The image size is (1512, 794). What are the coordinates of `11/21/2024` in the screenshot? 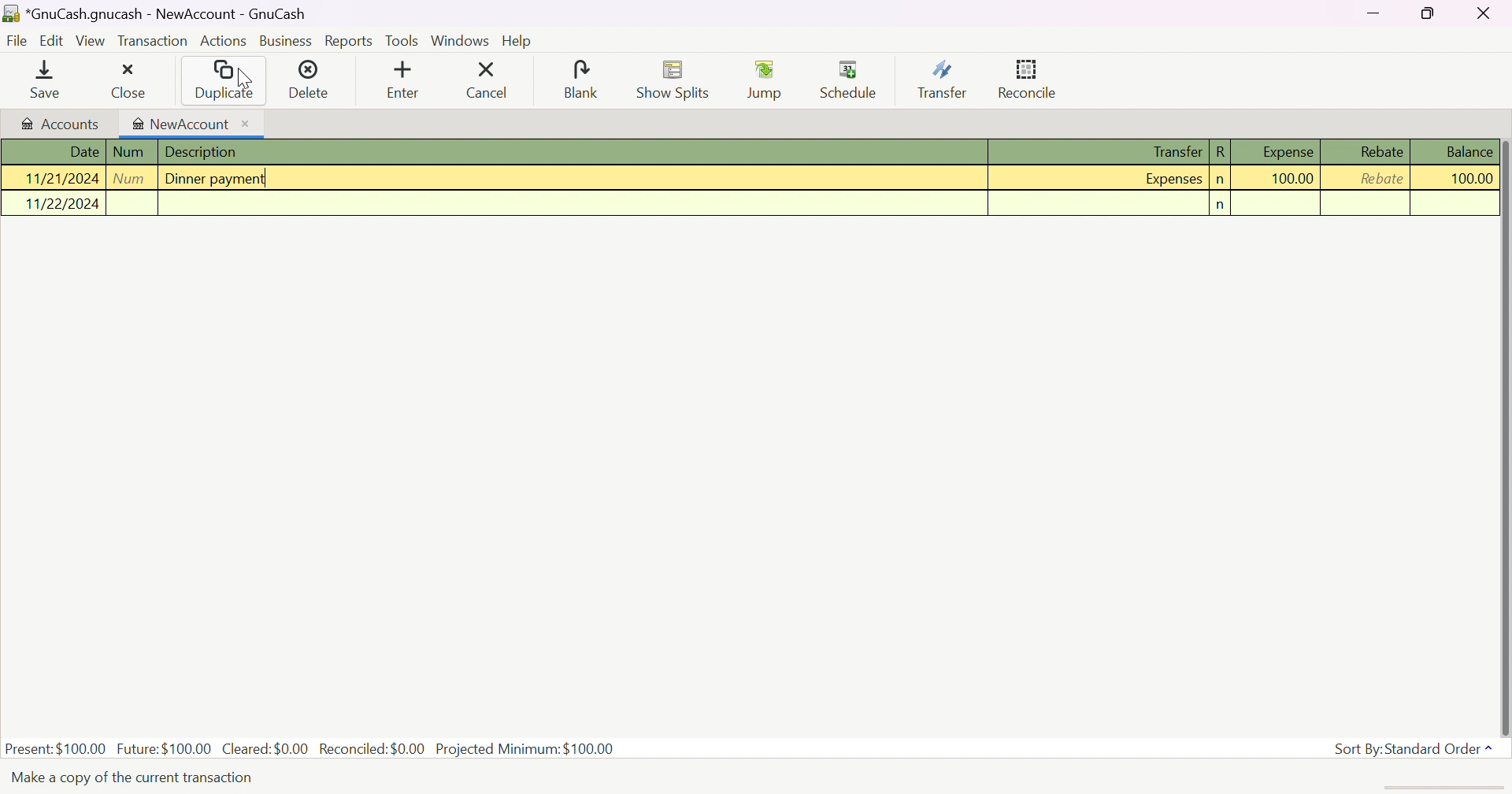 It's located at (60, 178).